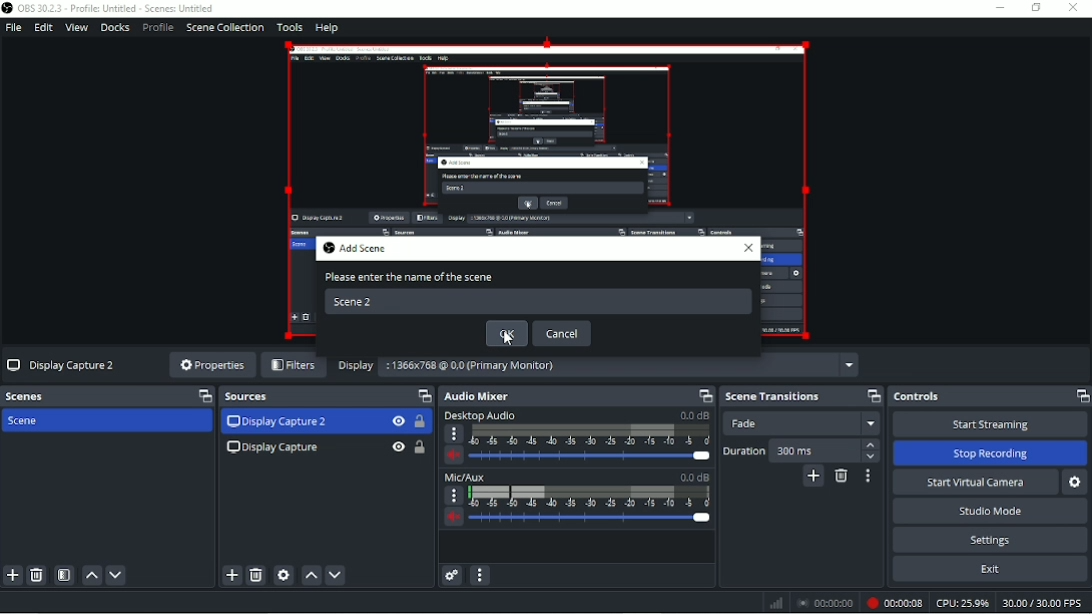 The width and height of the screenshot is (1092, 614). Describe the element at coordinates (296, 366) in the screenshot. I see `Filters` at that location.